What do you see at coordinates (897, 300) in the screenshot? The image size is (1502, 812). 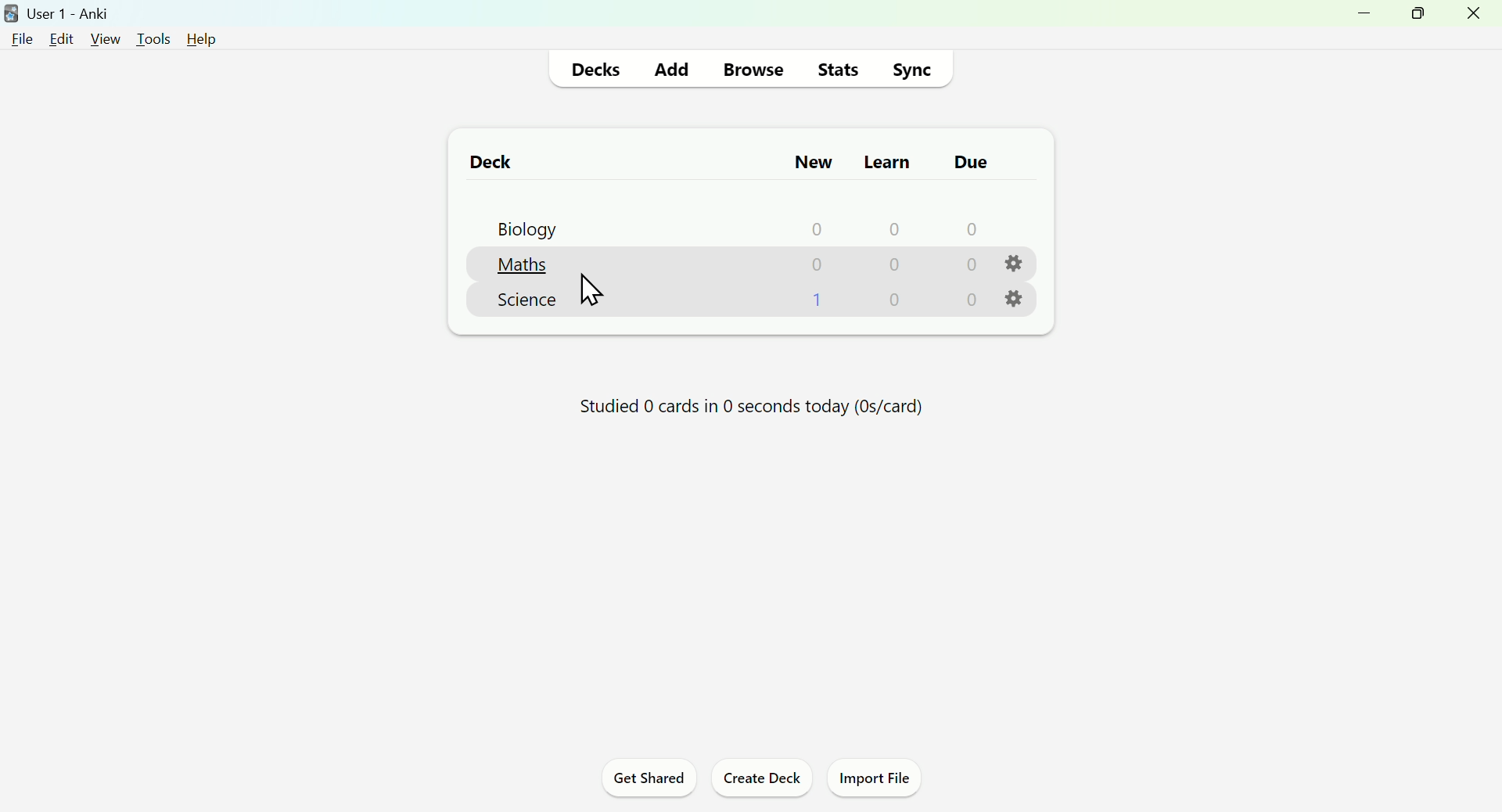 I see `0` at bounding box center [897, 300].